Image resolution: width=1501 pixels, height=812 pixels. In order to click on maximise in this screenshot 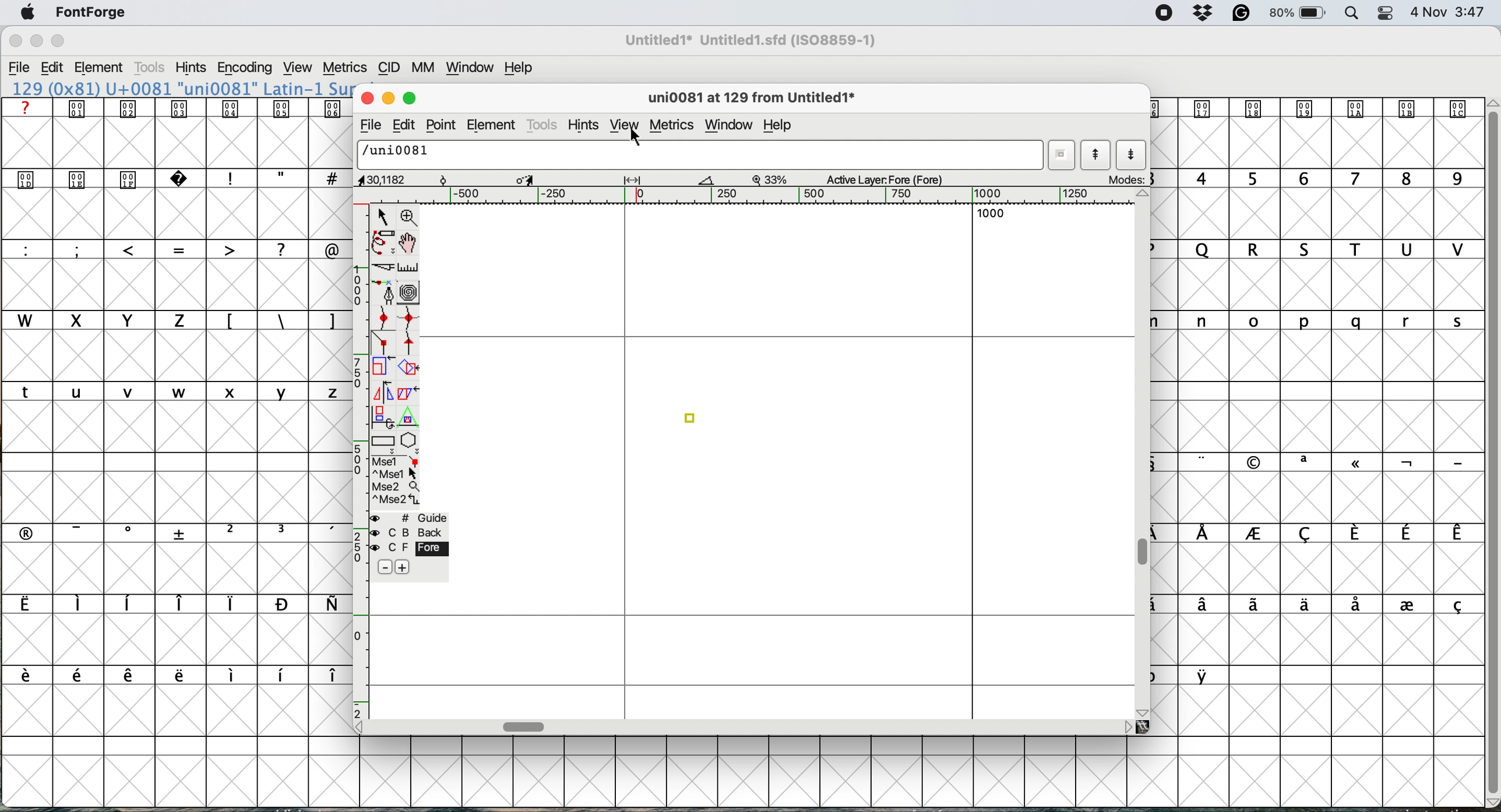, I will do `click(409, 98)`.